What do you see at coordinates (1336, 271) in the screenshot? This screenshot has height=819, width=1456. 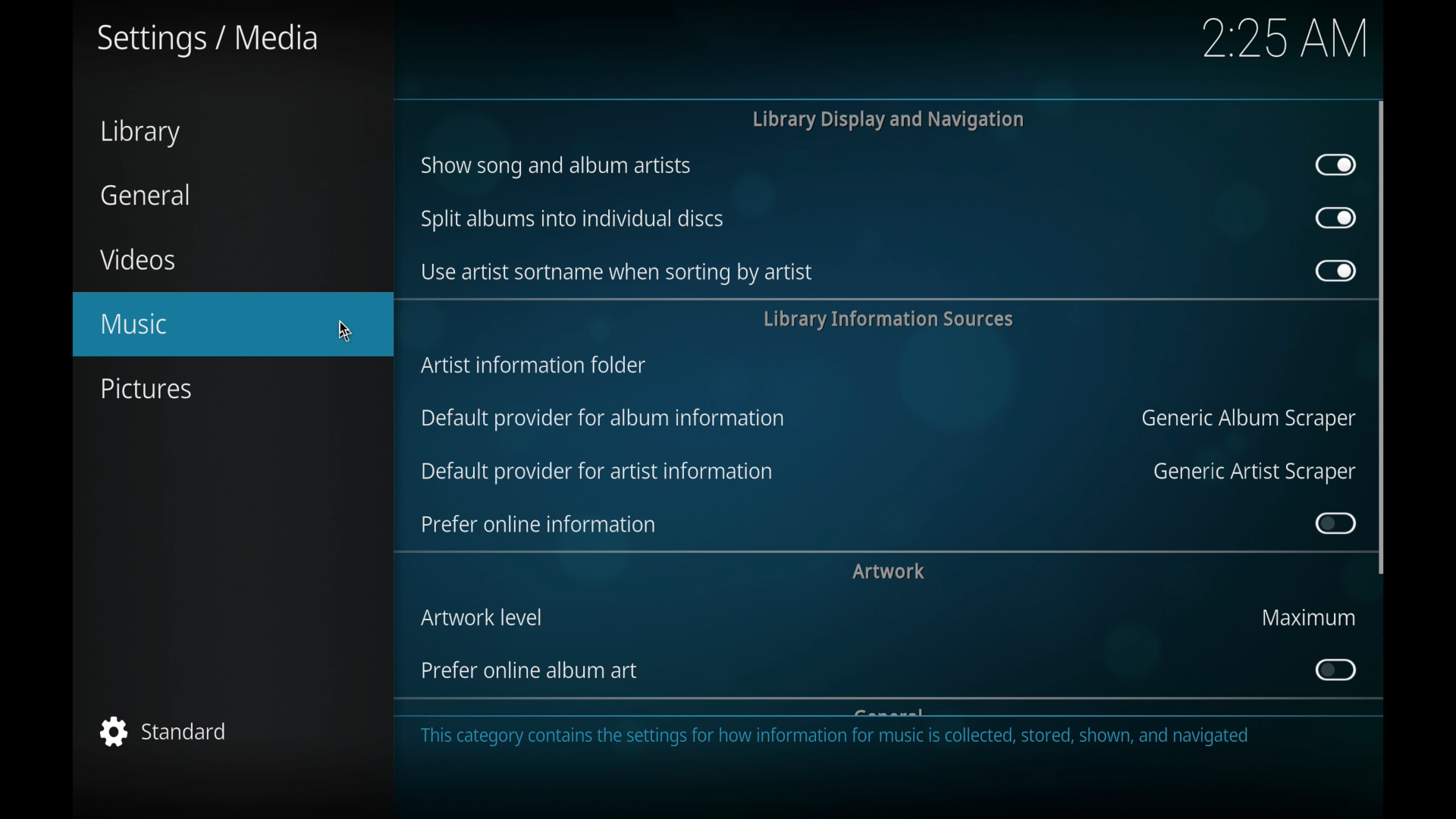 I see `toggle button` at bounding box center [1336, 271].